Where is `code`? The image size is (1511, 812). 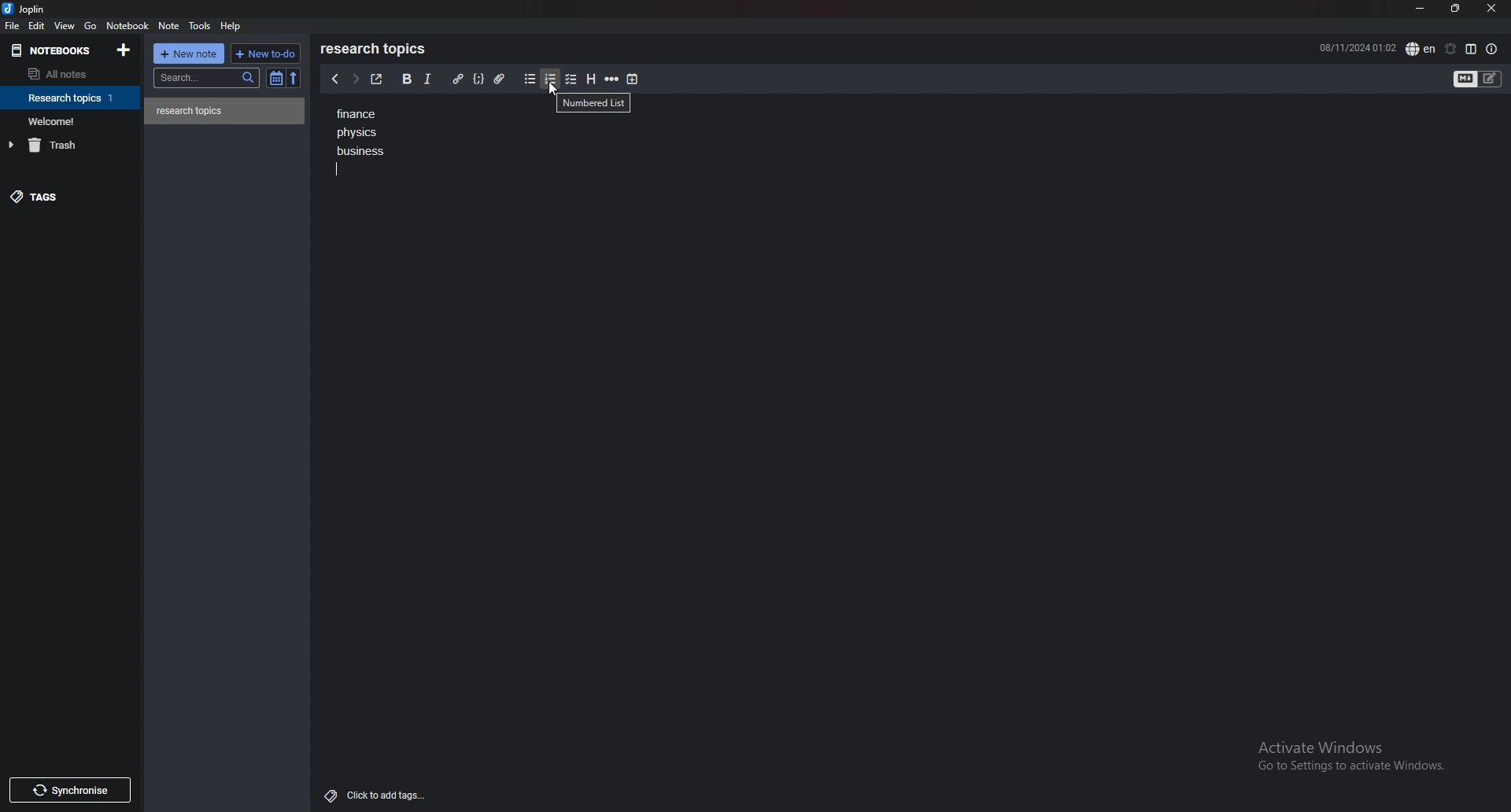 code is located at coordinates (479, 78).